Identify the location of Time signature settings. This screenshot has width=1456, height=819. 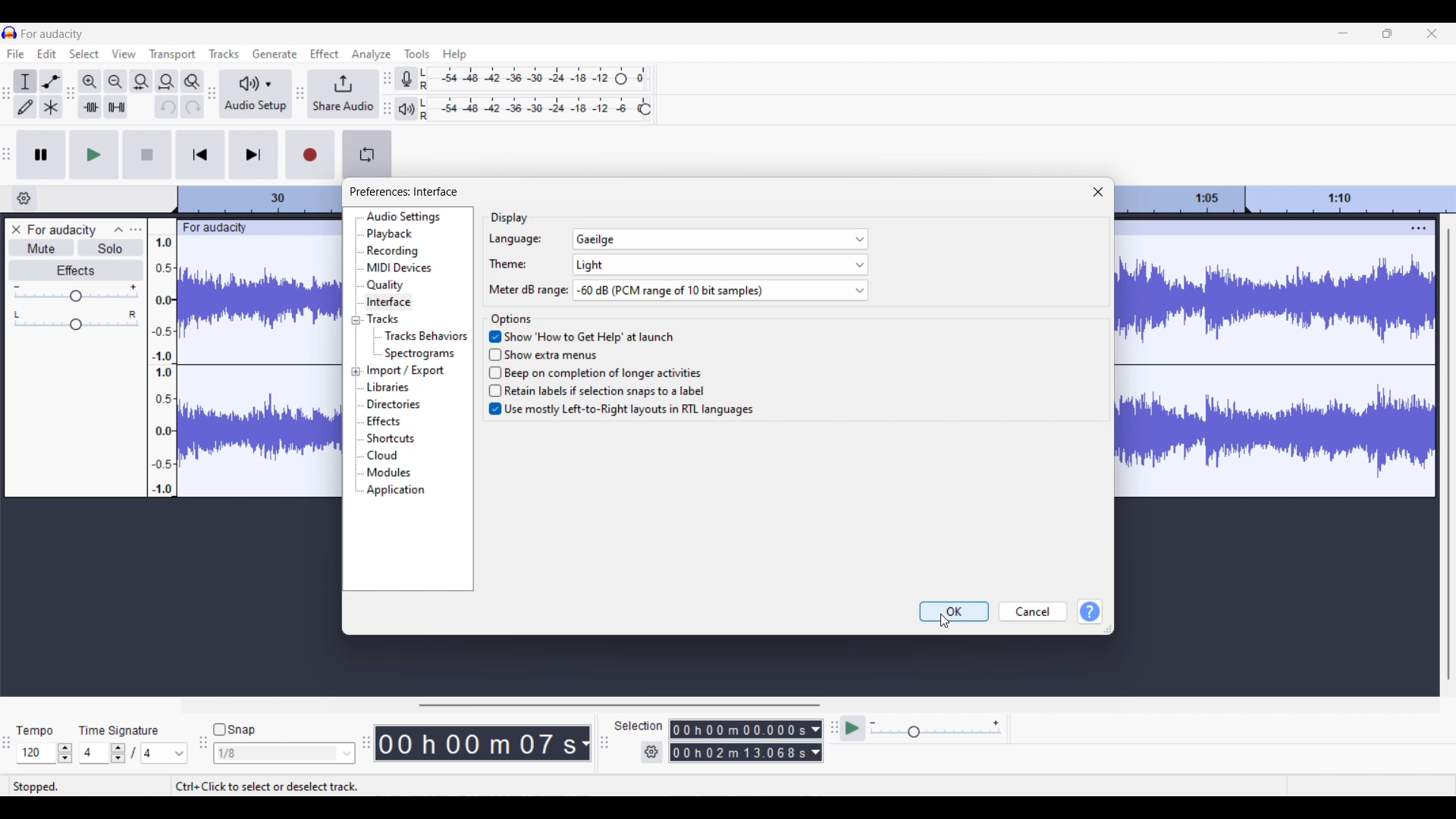
(134, 753).